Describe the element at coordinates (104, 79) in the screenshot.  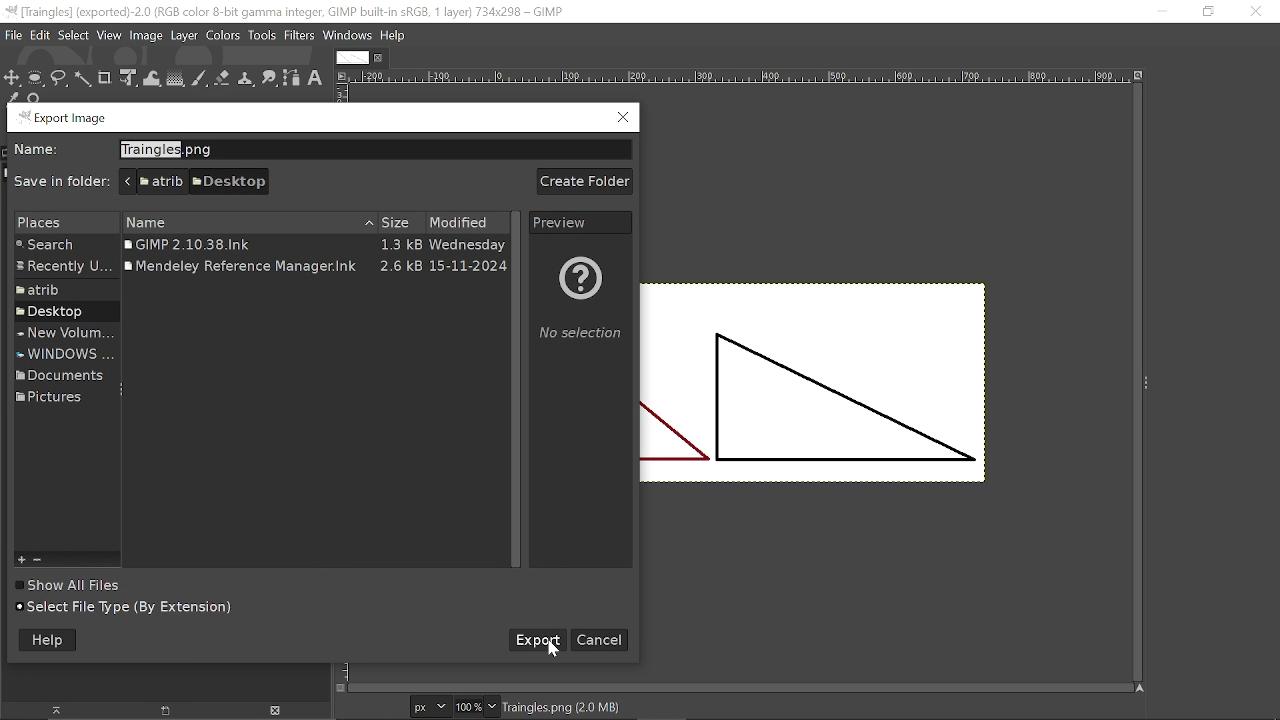
I see `Crop tool` at that location.